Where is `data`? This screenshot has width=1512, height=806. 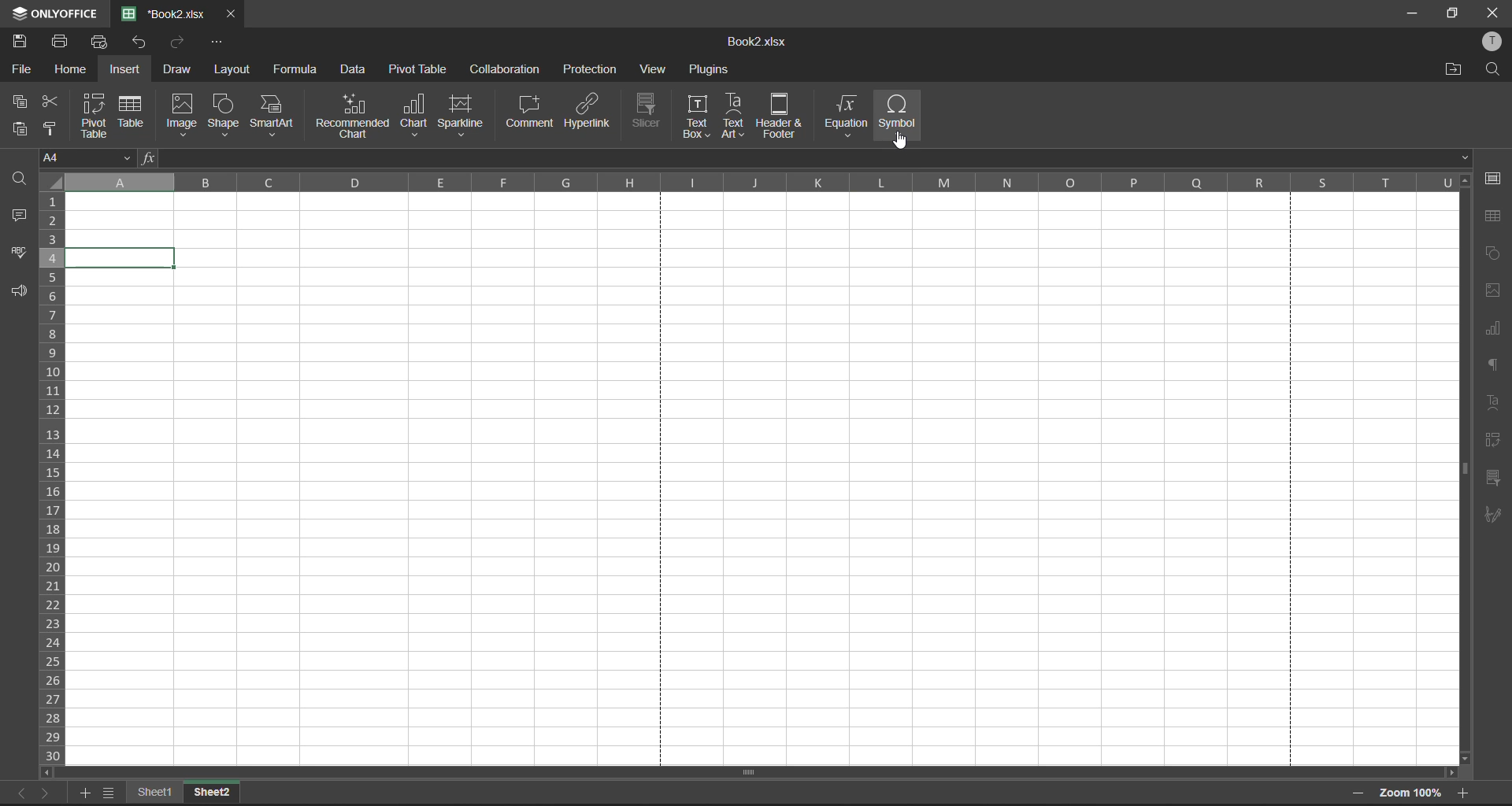
data is located at coordinates (352, 69).